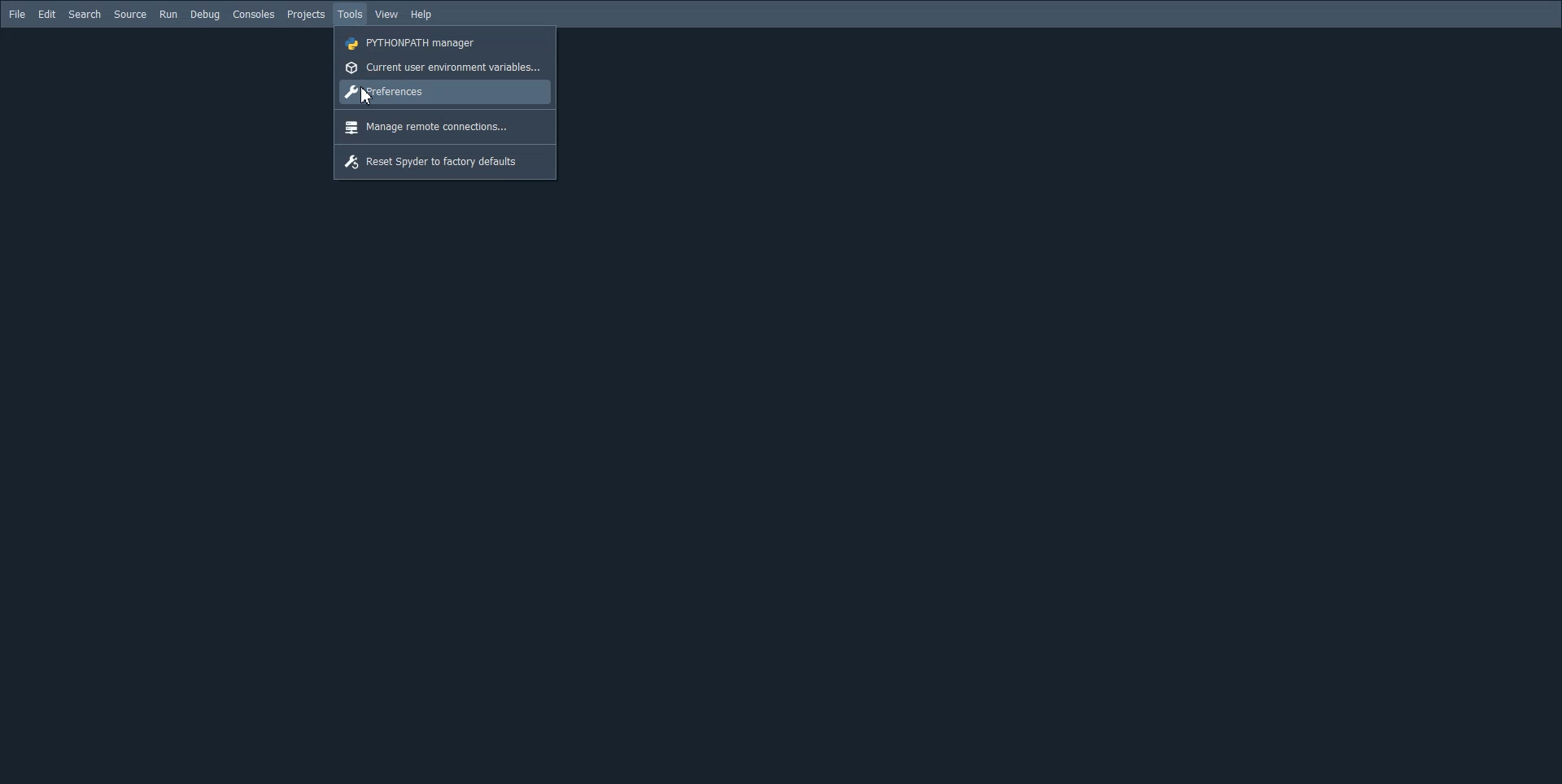 The height and width of the screenshot is (784, 1562). I want to click on File, so click(17, 14).